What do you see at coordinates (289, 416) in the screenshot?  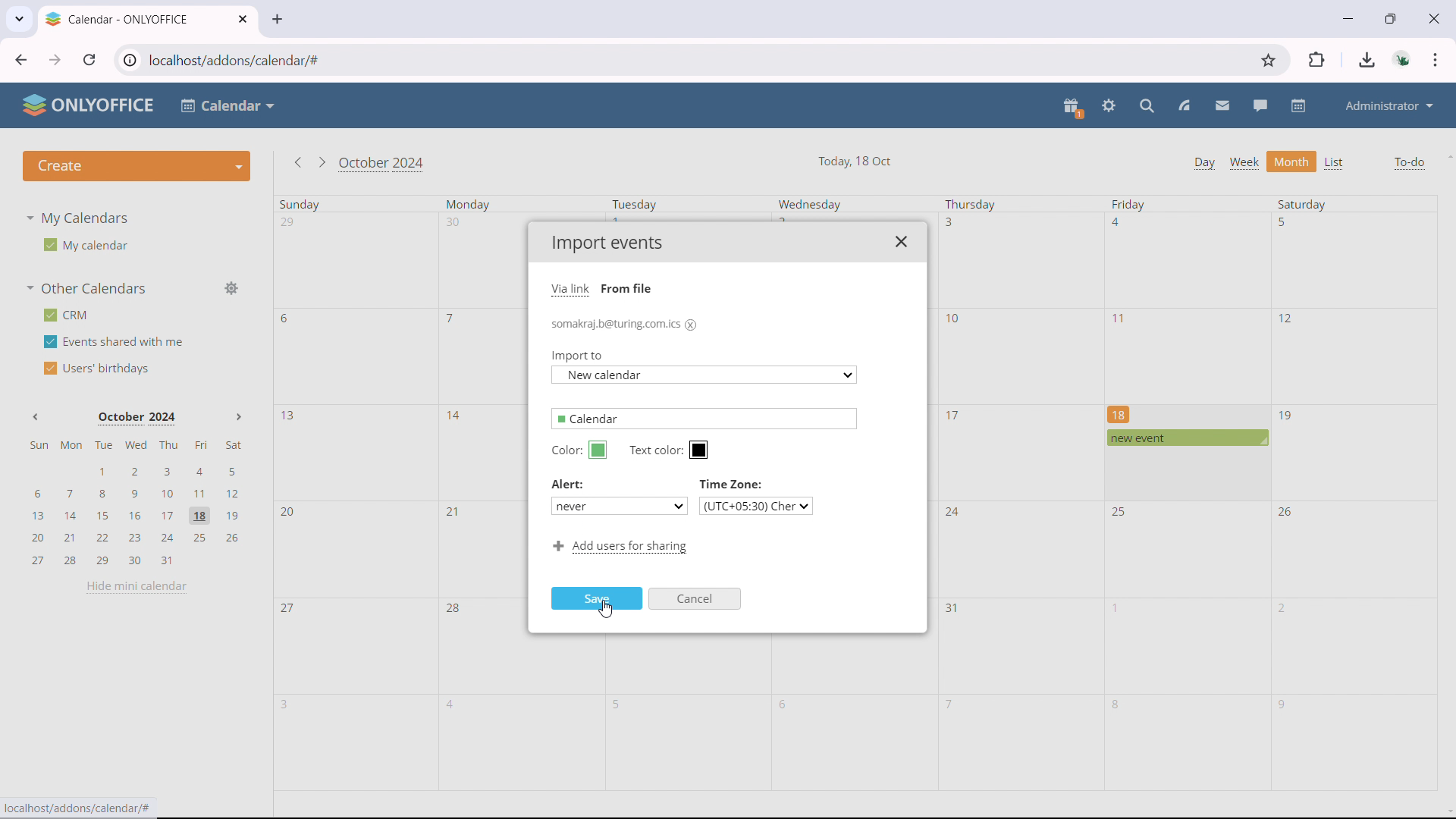 I see `13` at bounding box center [289, 416].